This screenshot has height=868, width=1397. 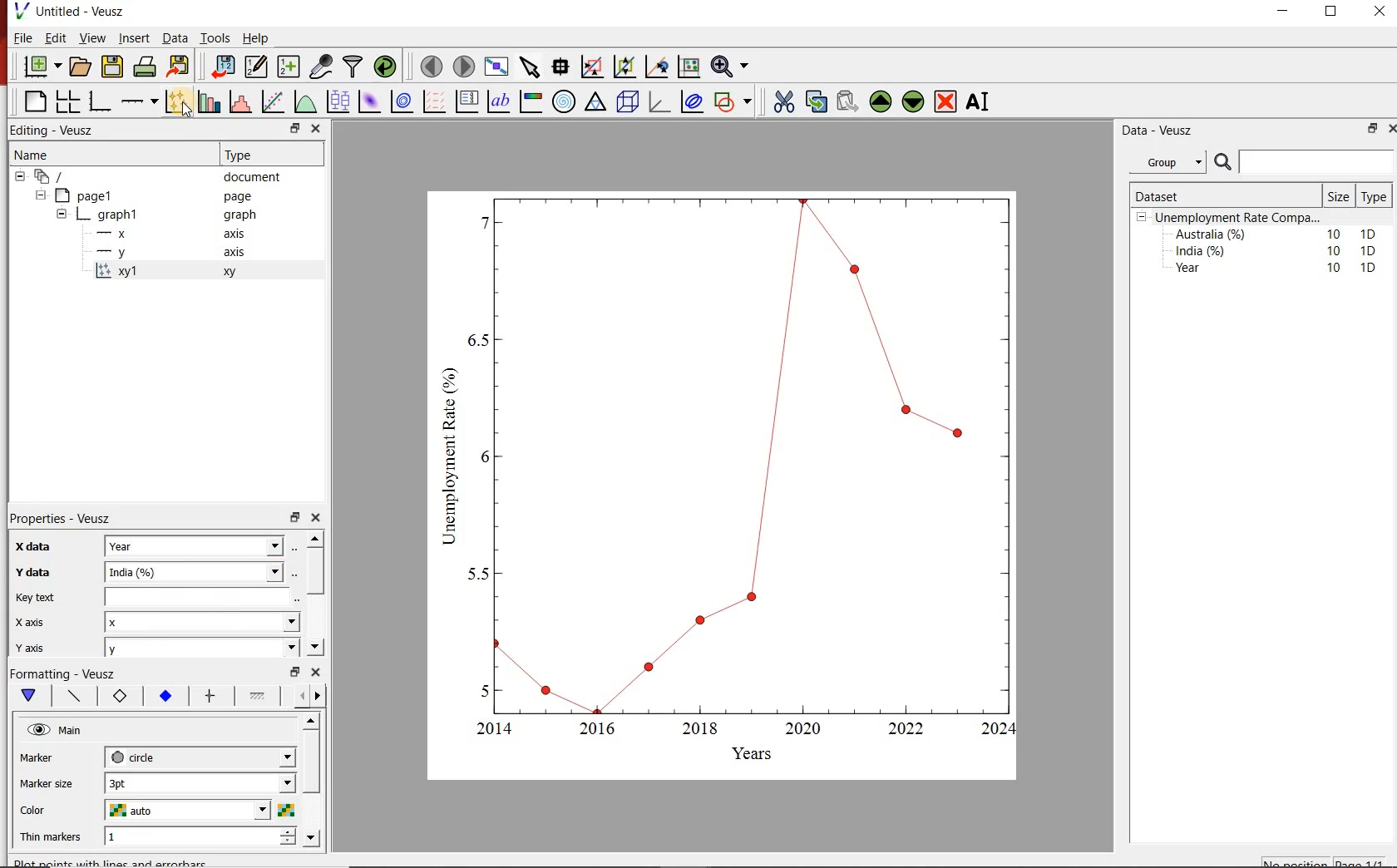 I want to click on Formatting - Veusz, so click(x=62, y=672).